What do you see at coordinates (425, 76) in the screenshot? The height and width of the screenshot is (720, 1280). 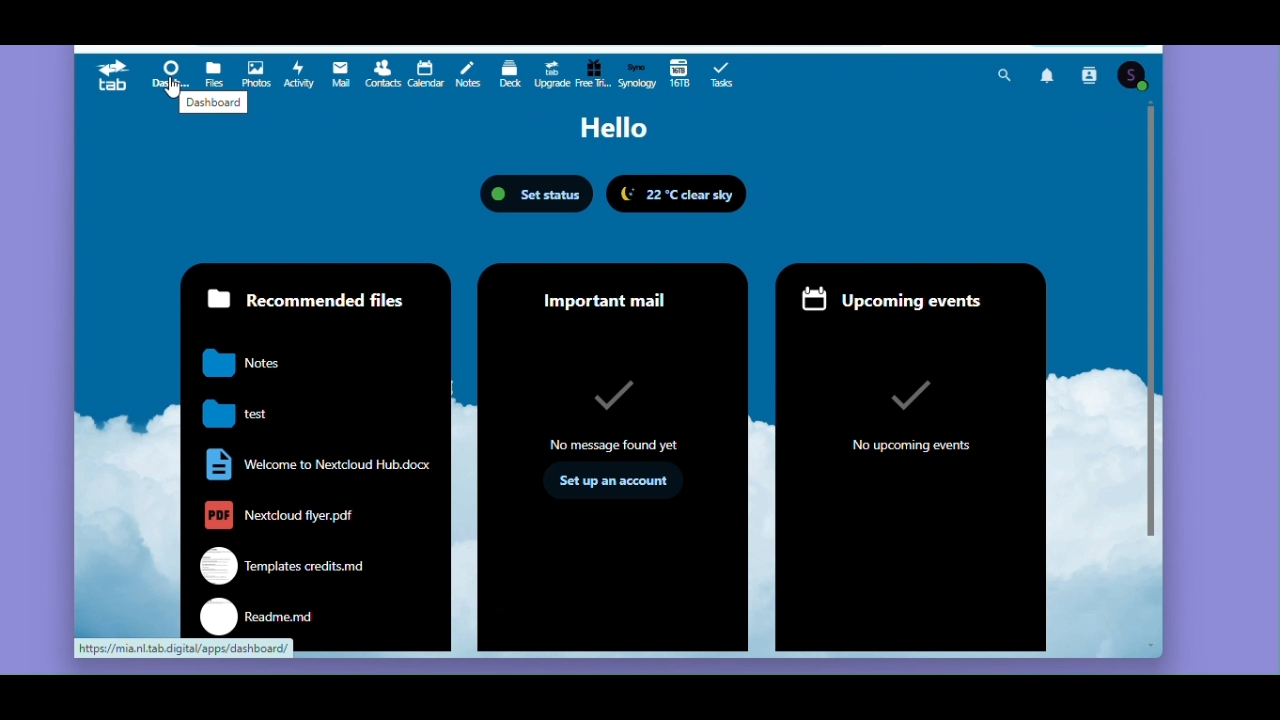 I see `Calendar` at bounding box center [425, 76].